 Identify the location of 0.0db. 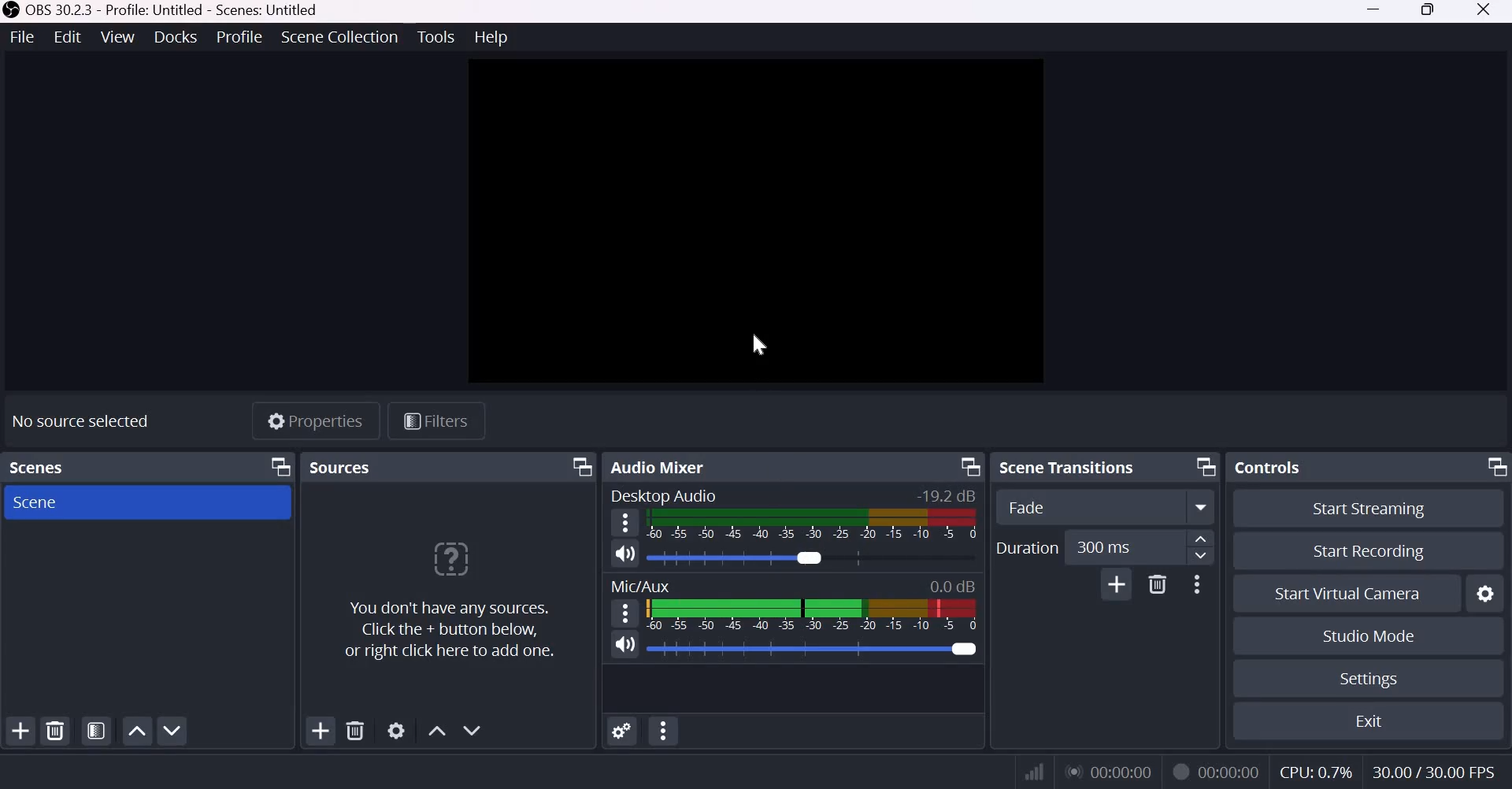
(951, 585).